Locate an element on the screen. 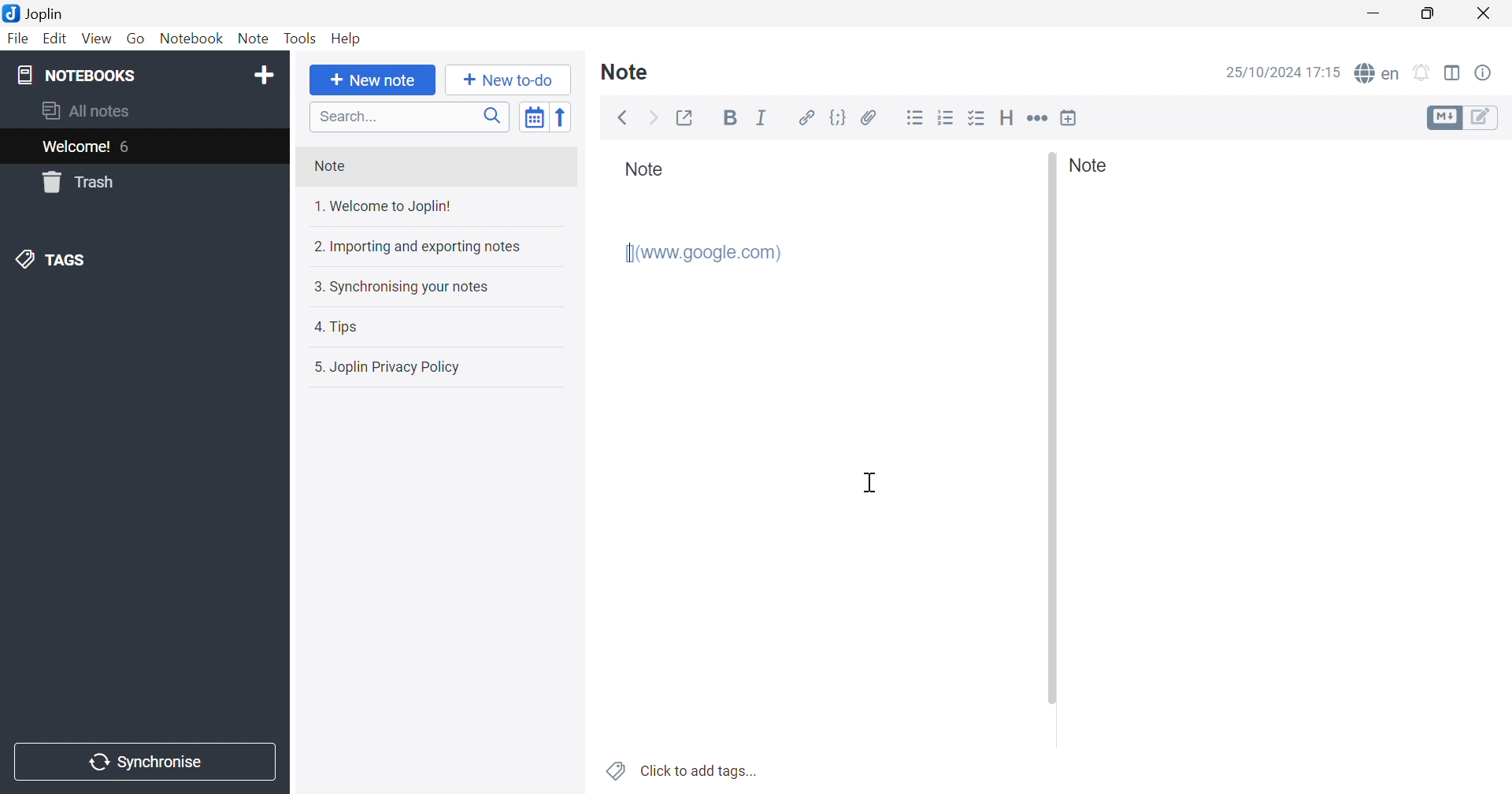 This screenshot has width=1512, height=794. 1. Welcome to Joplin! is located at coordinates (427, 208).